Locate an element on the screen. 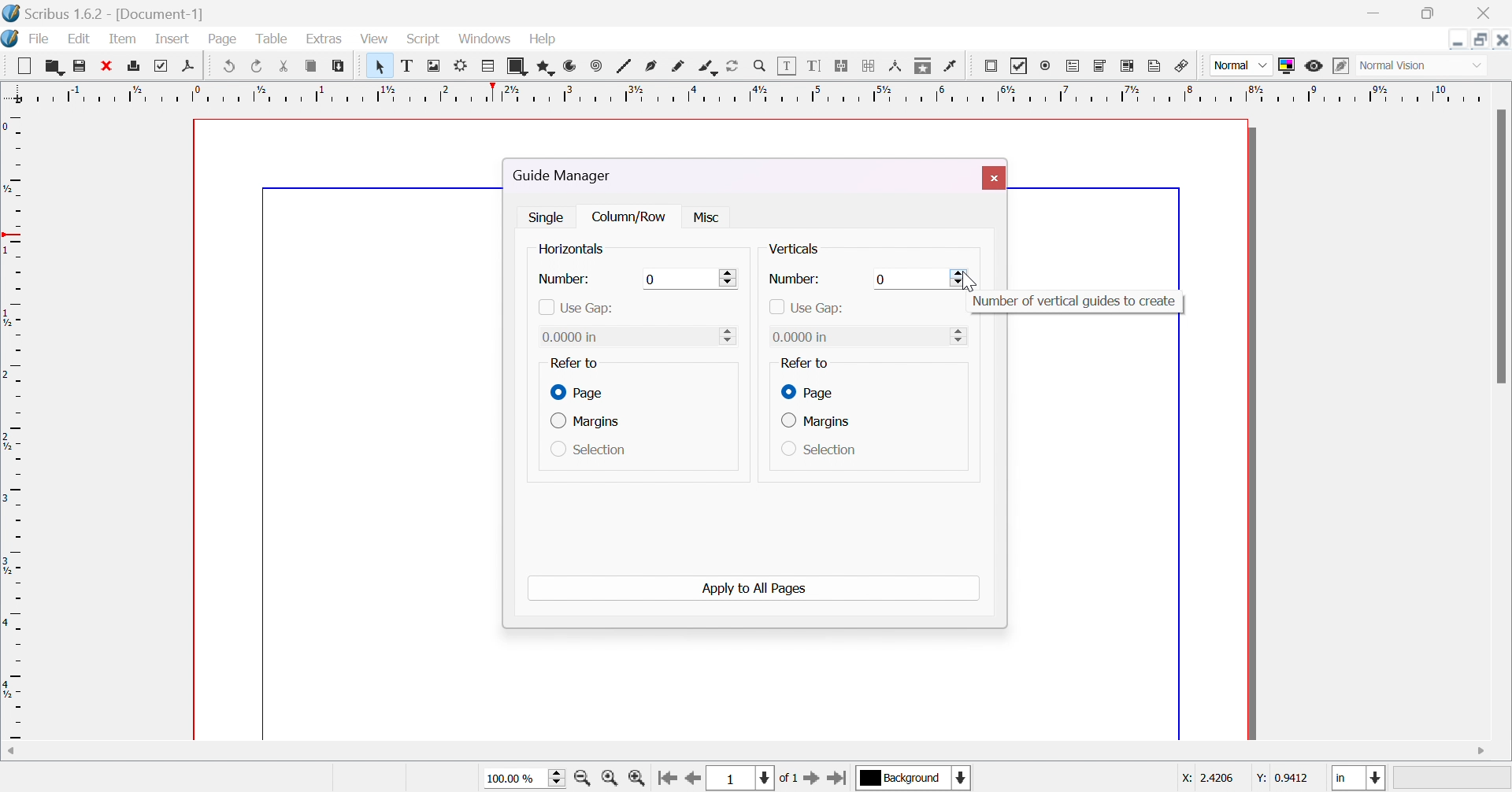 Image resolution: width=1512 pixels, height=792 pixels. slider is located at coordinates (962, 335).